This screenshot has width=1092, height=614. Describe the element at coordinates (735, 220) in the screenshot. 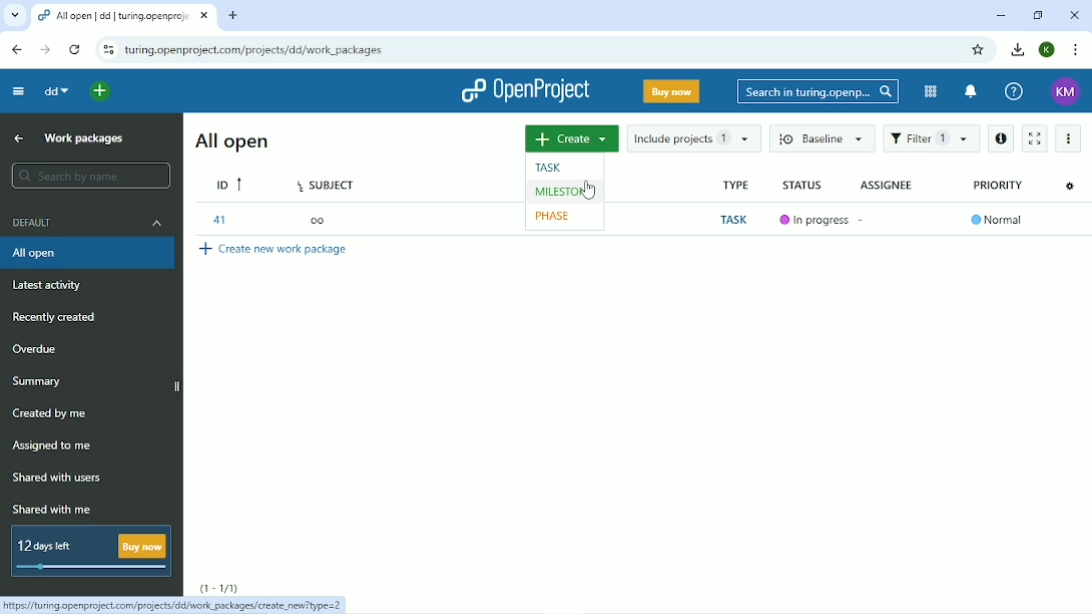

I see `Task` at that location.